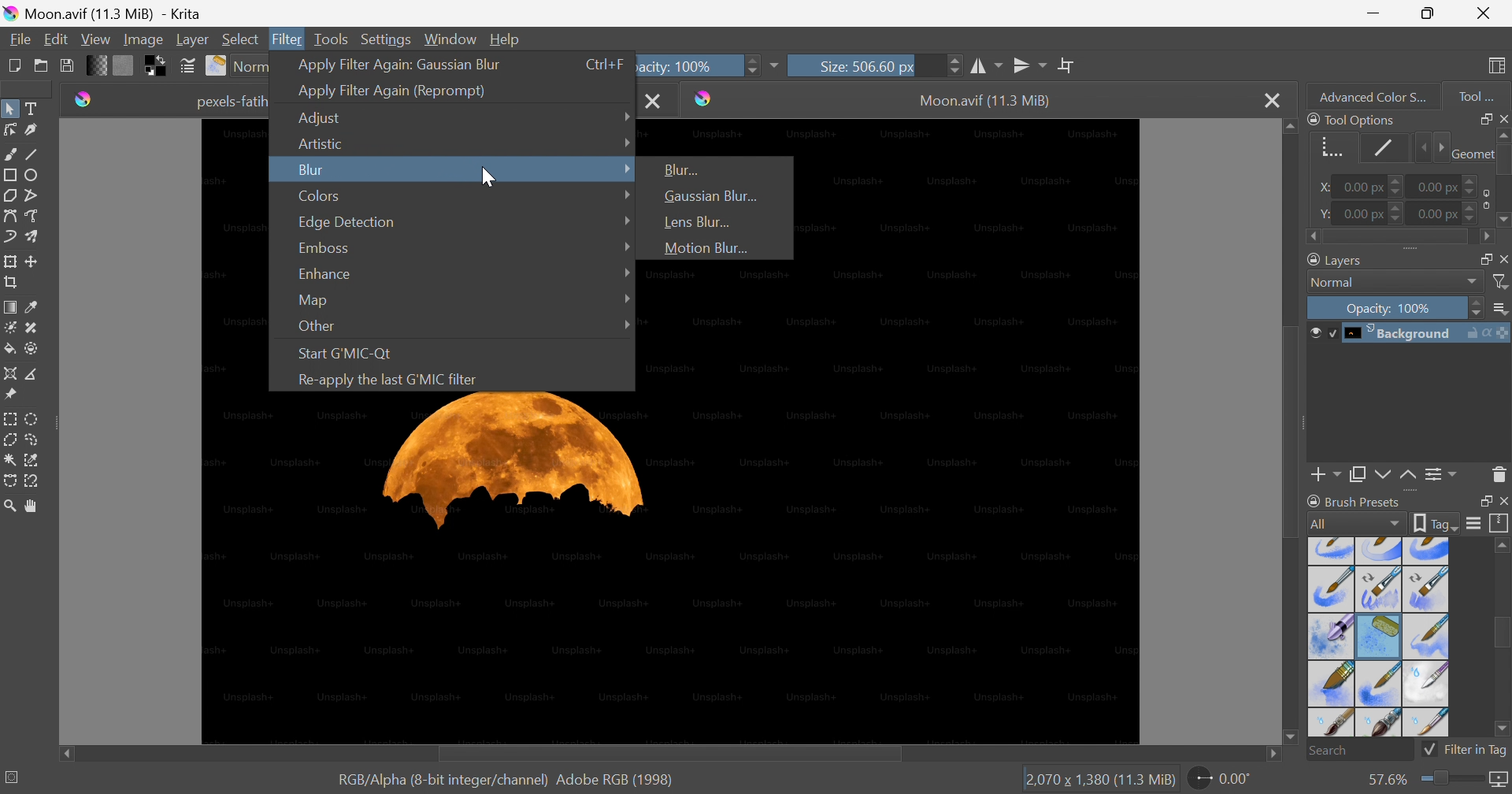 The width and height of the screenshot is (1512, 794). What do you see at coordinates (31, 328) in the screenshot?
I see `Patch tool` at bounding box center [31, 328].